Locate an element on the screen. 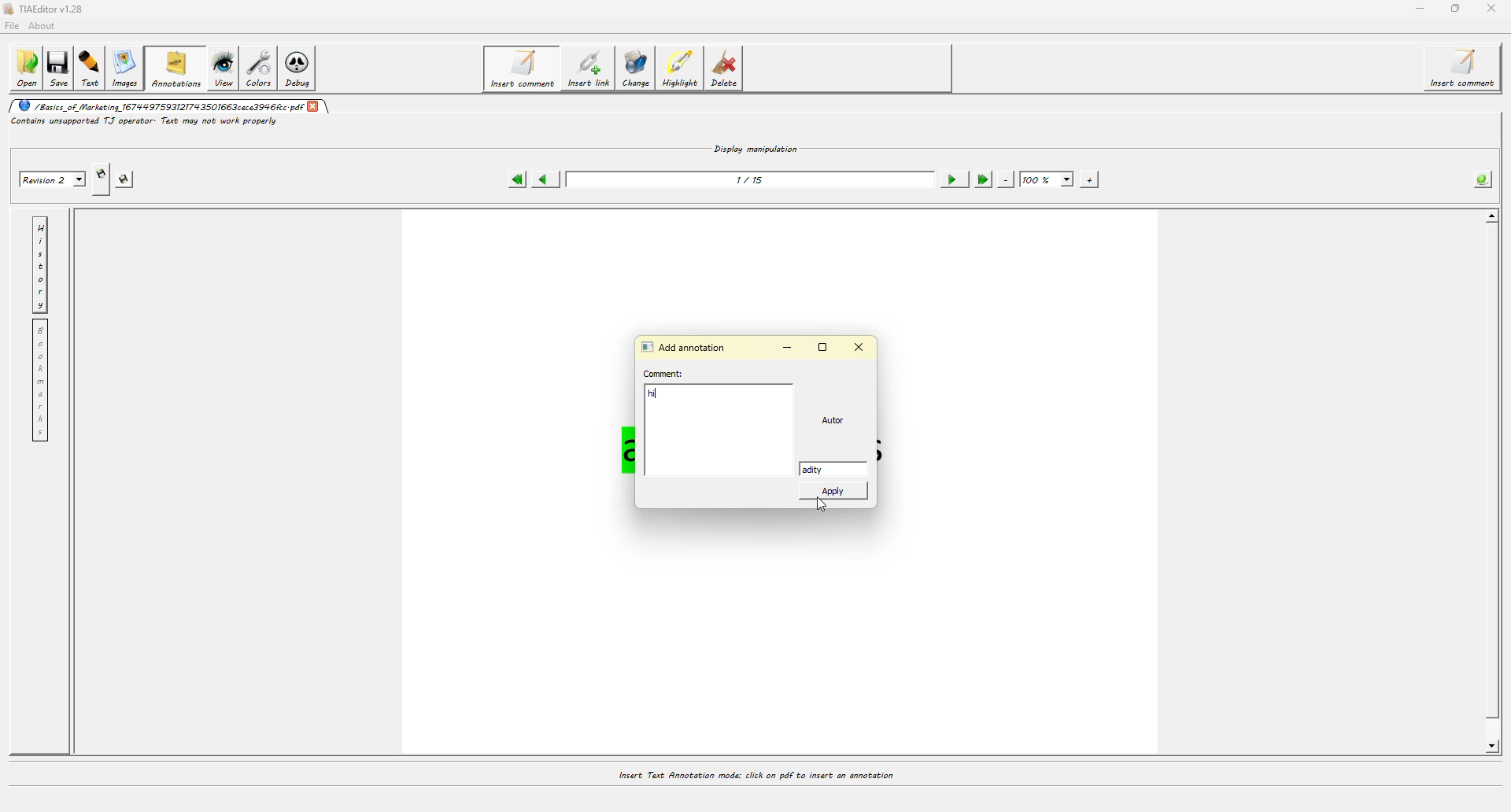 This screenshot has width=1511, height=812. insert link is located at coordinates (588, 71).